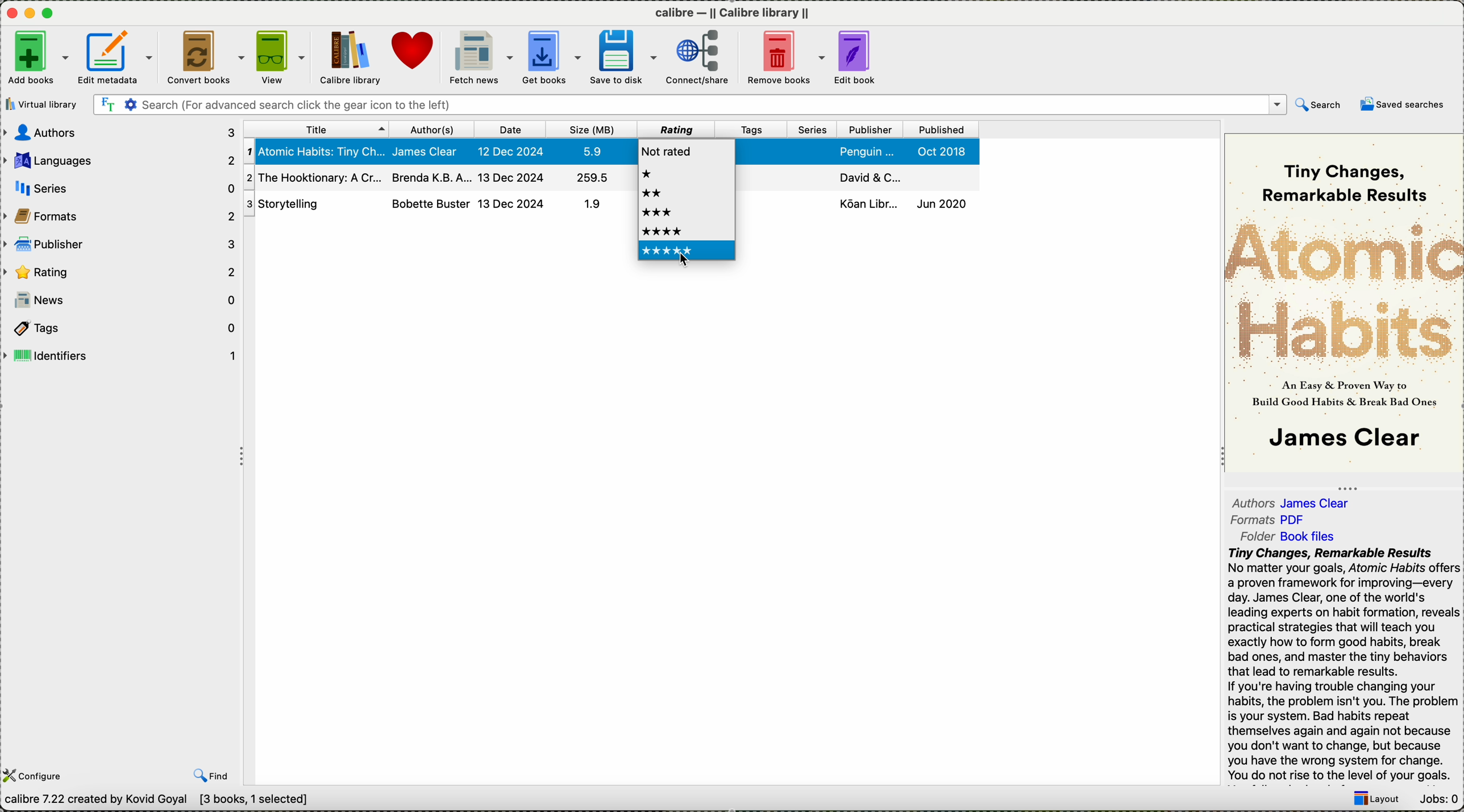  I want to click on PDF, so click(1300, 519).